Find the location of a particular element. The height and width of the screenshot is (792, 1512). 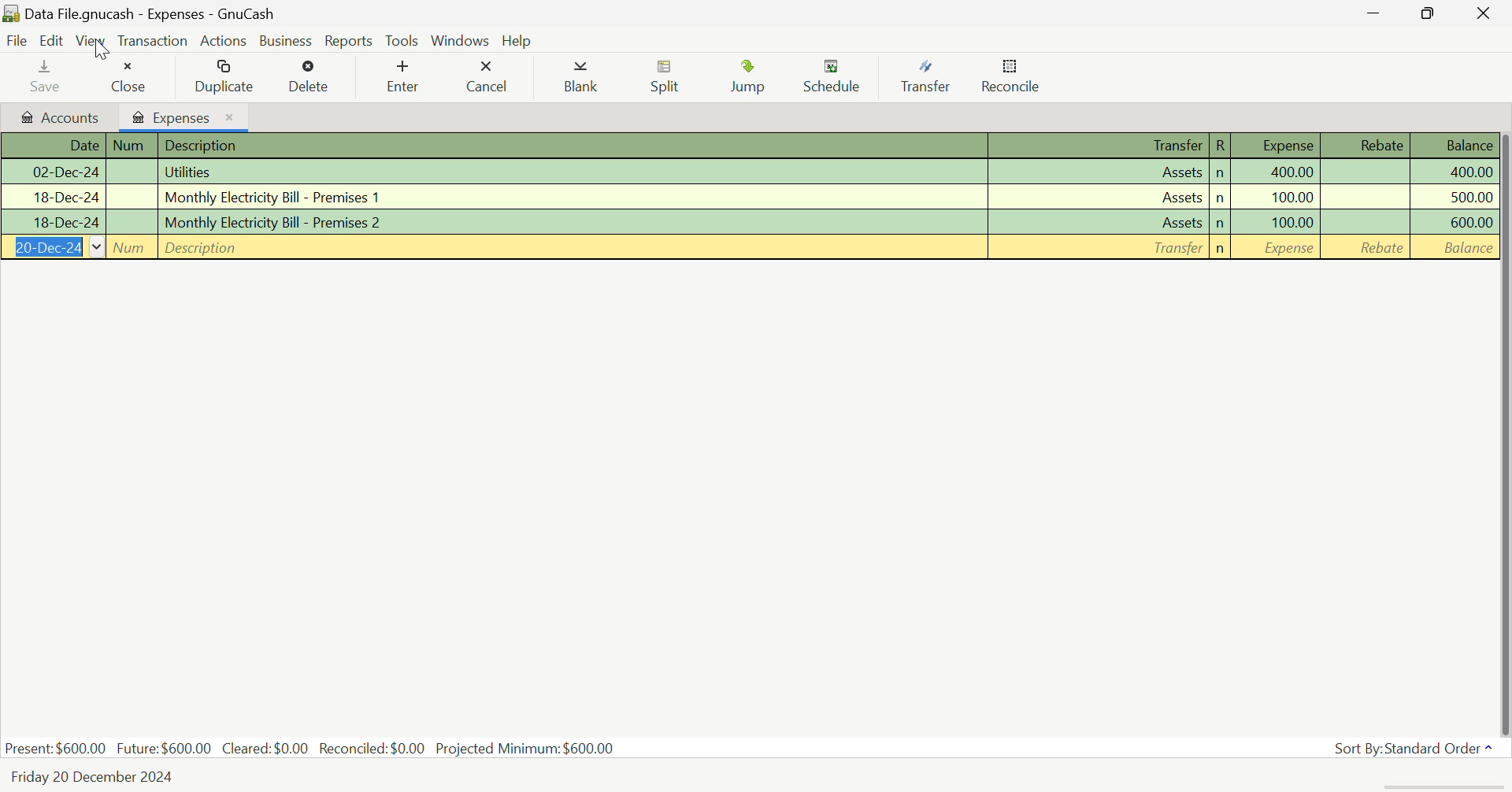

Present is located at coordinates (56, 749).